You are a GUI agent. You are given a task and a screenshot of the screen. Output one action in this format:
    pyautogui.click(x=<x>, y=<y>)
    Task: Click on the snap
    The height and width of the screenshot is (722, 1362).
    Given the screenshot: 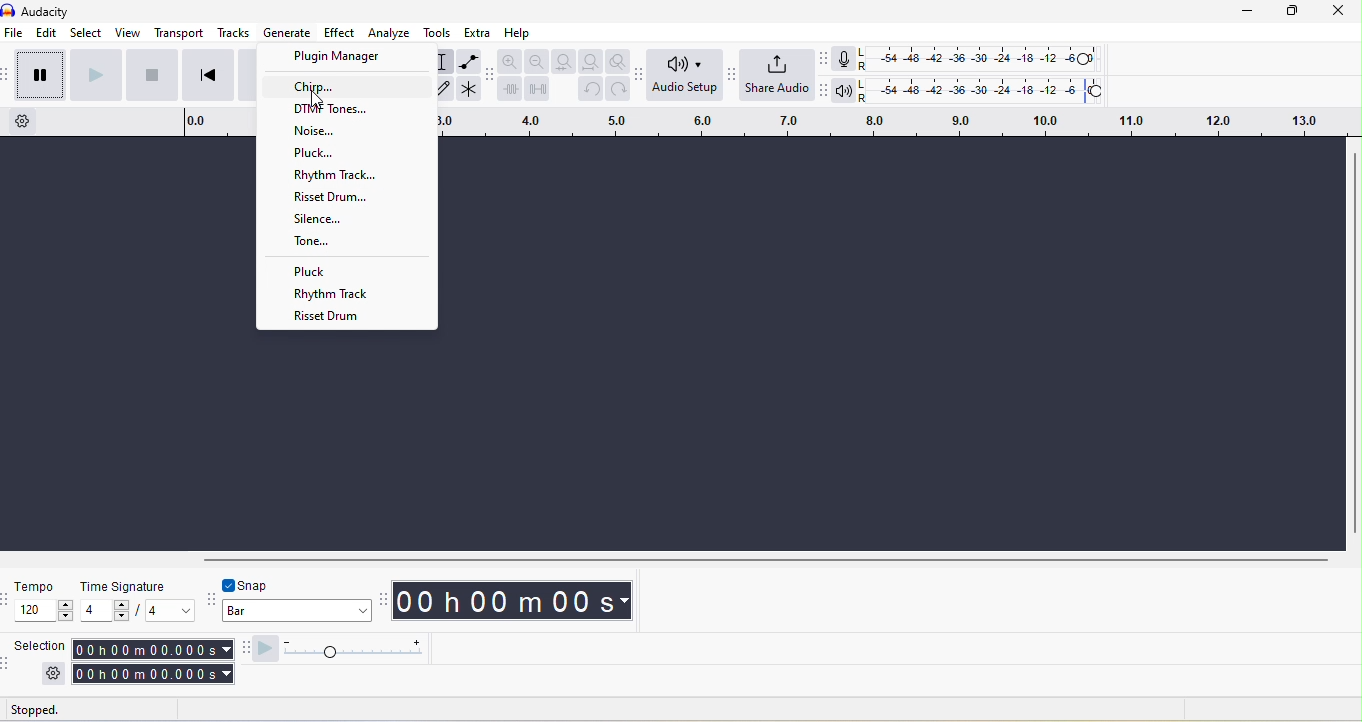 What is the action you would take?
    pyautogui.click(x=264, y=584)
    